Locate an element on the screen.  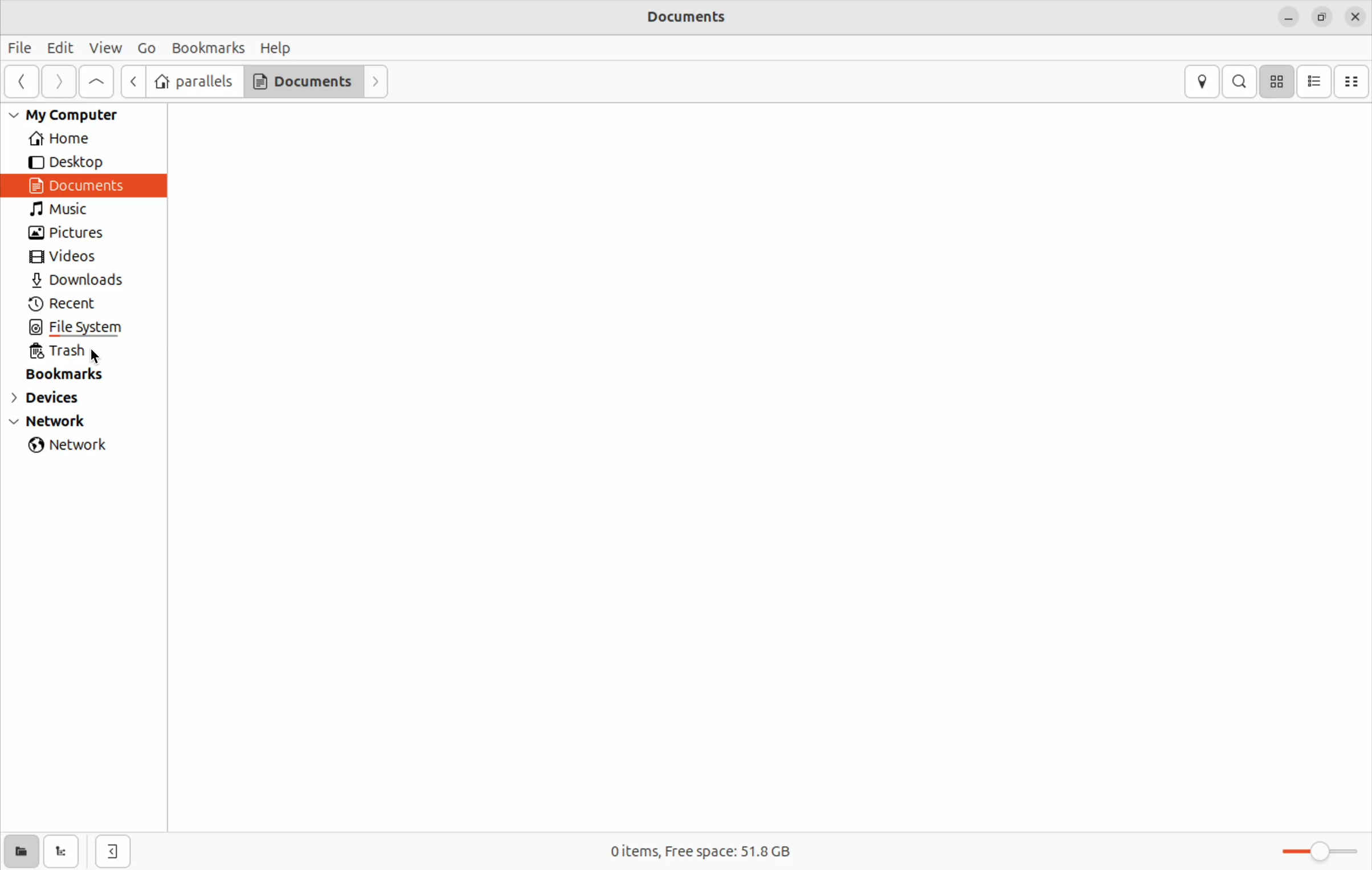
trash is located at coordinates (74, 352).